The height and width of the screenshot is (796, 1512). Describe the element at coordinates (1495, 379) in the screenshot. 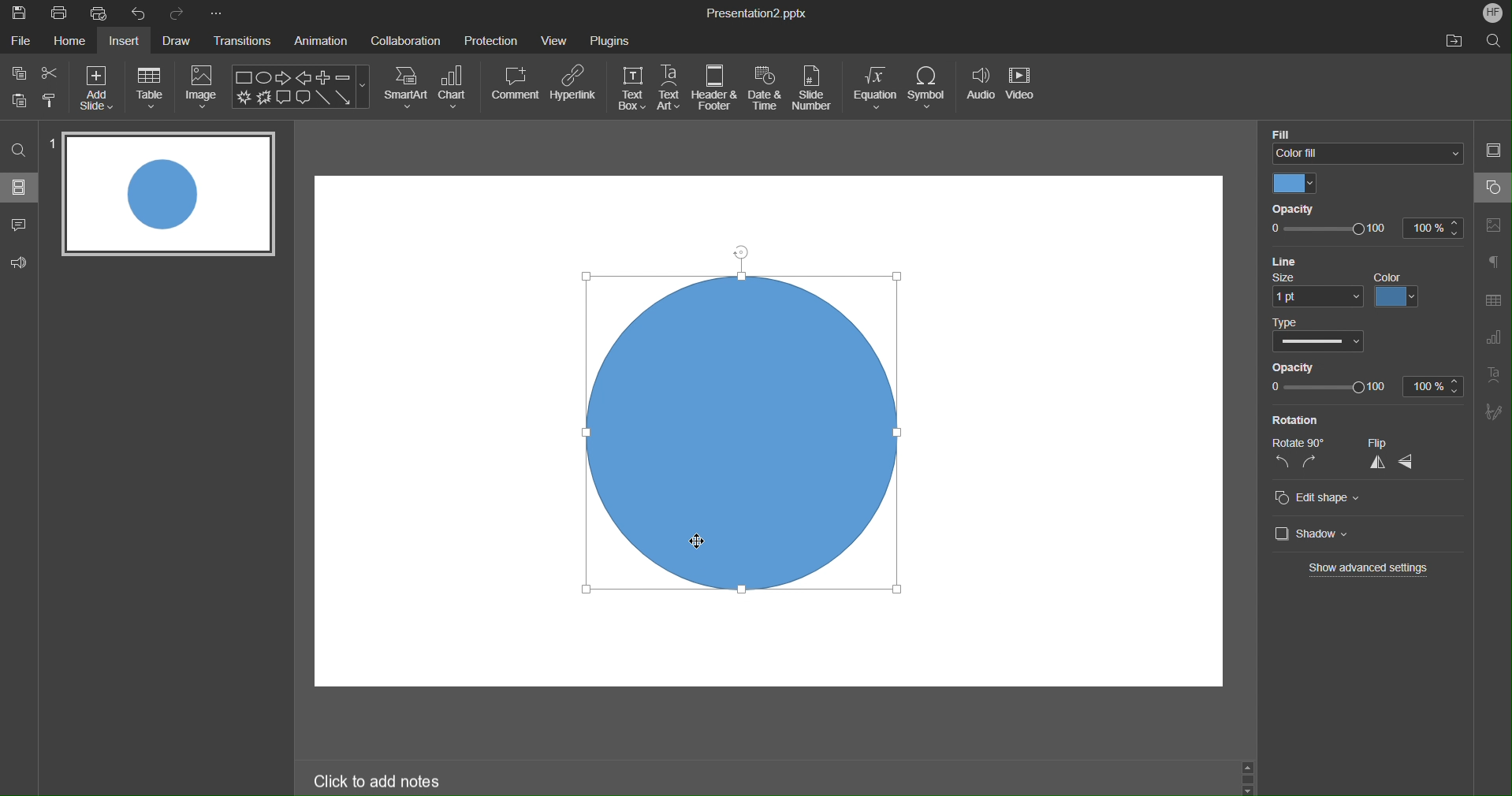

I see `Text Art` at that location.